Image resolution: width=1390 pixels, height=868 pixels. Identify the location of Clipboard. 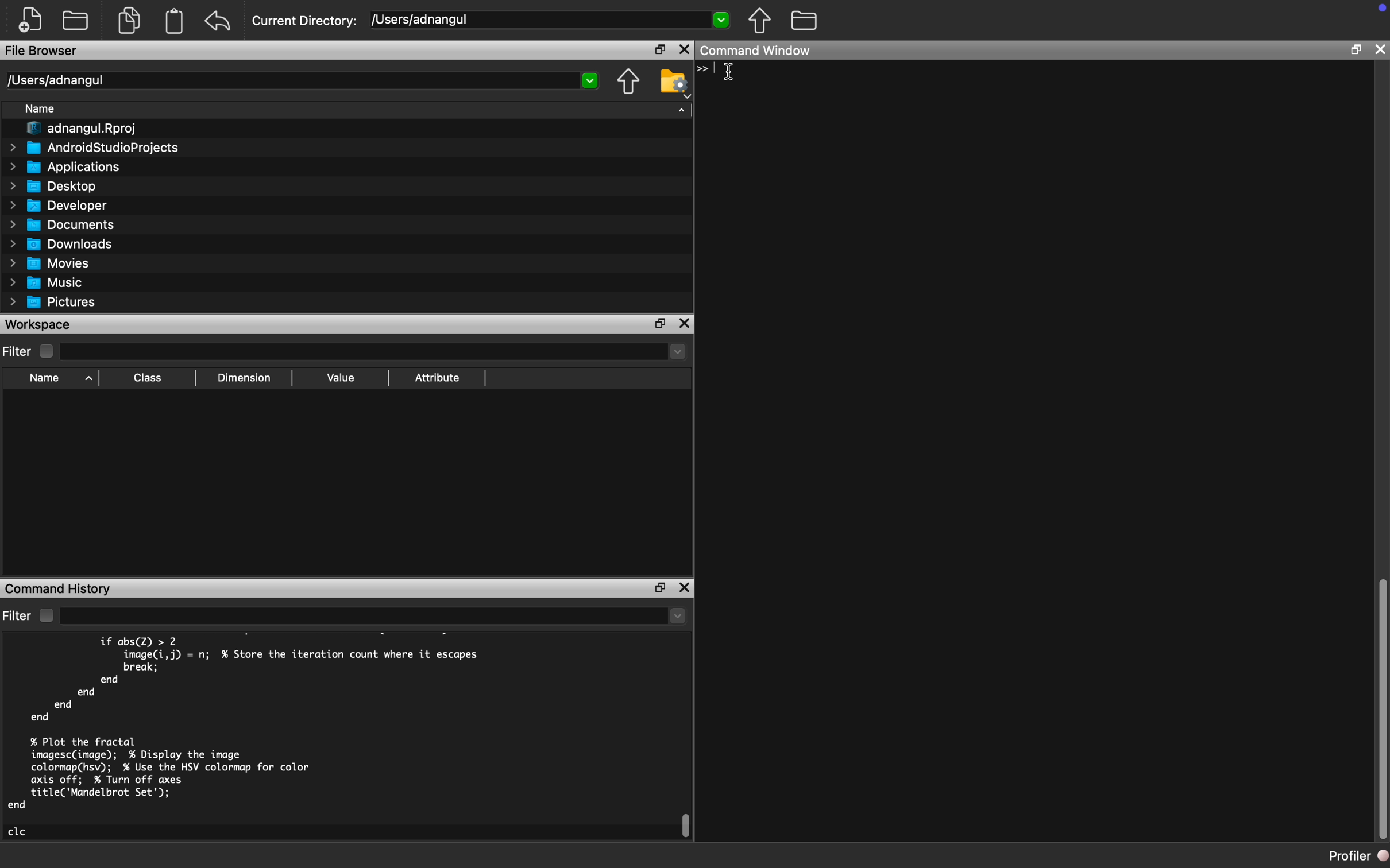
(175, 24).